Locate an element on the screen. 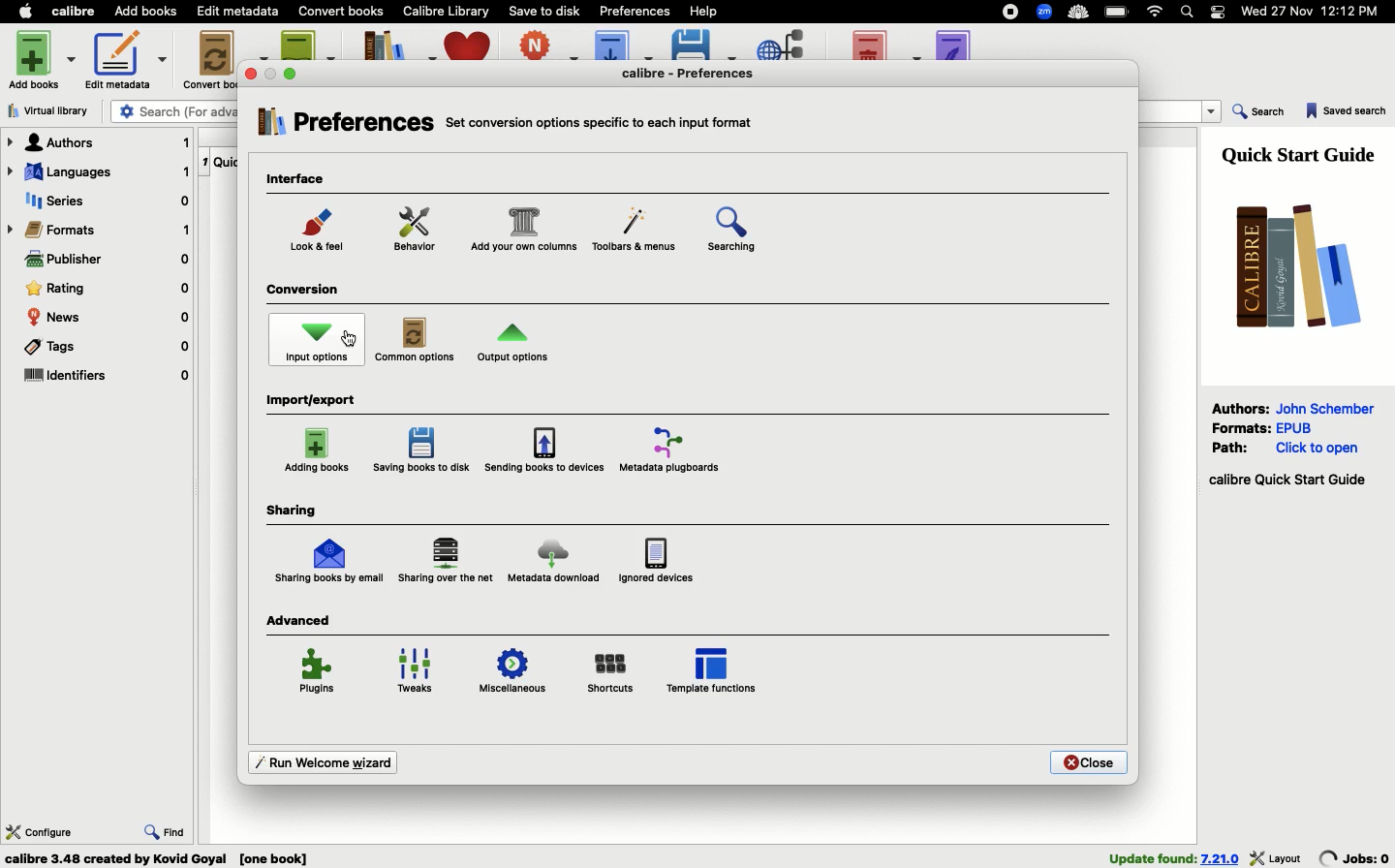 Image resolution: width=1395 pixels, height=868 pixels. Advanced is located at coordinates (301, 620).